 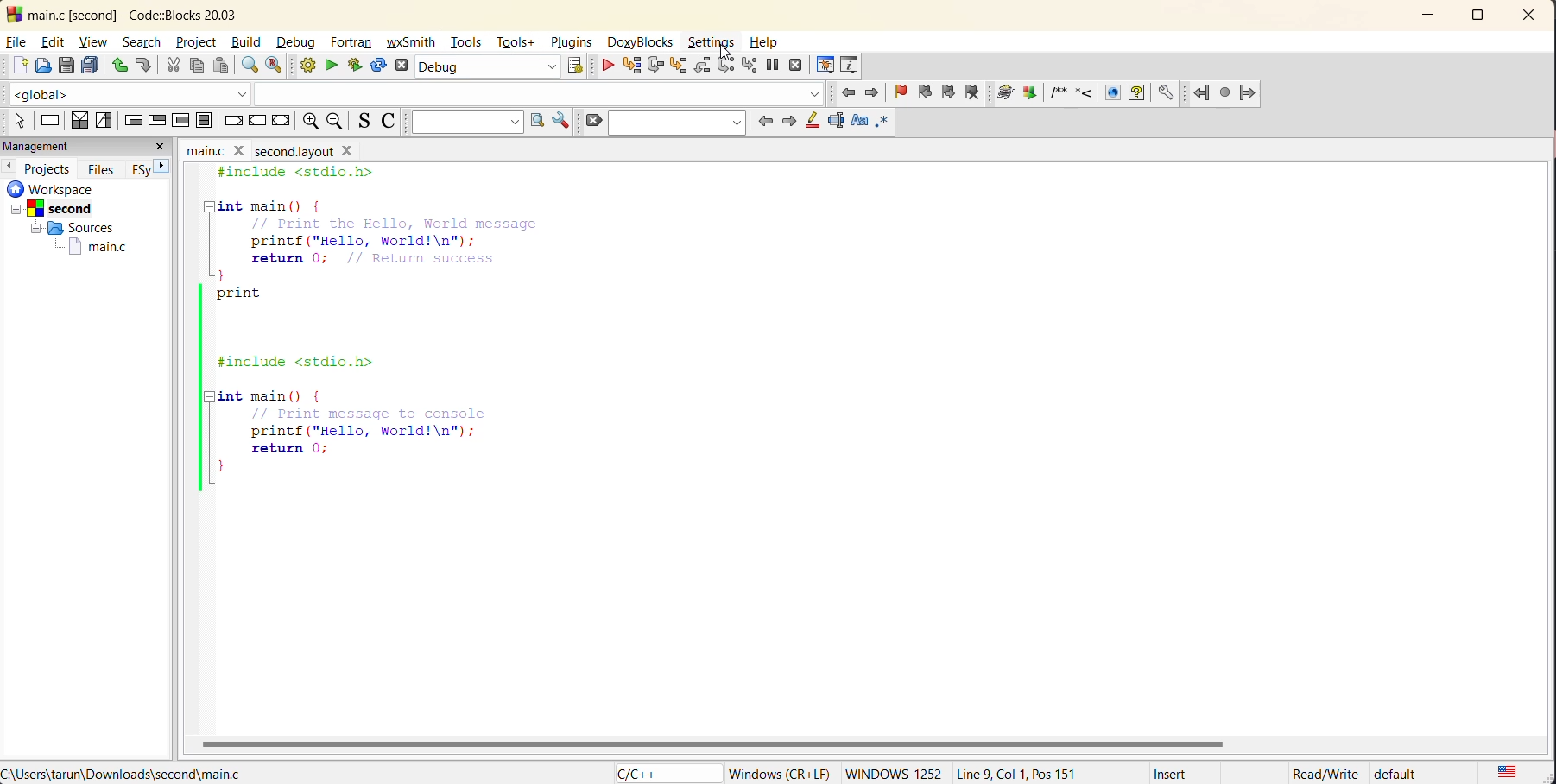 I want to click on clear bookmark, so click(x=977, y=95).